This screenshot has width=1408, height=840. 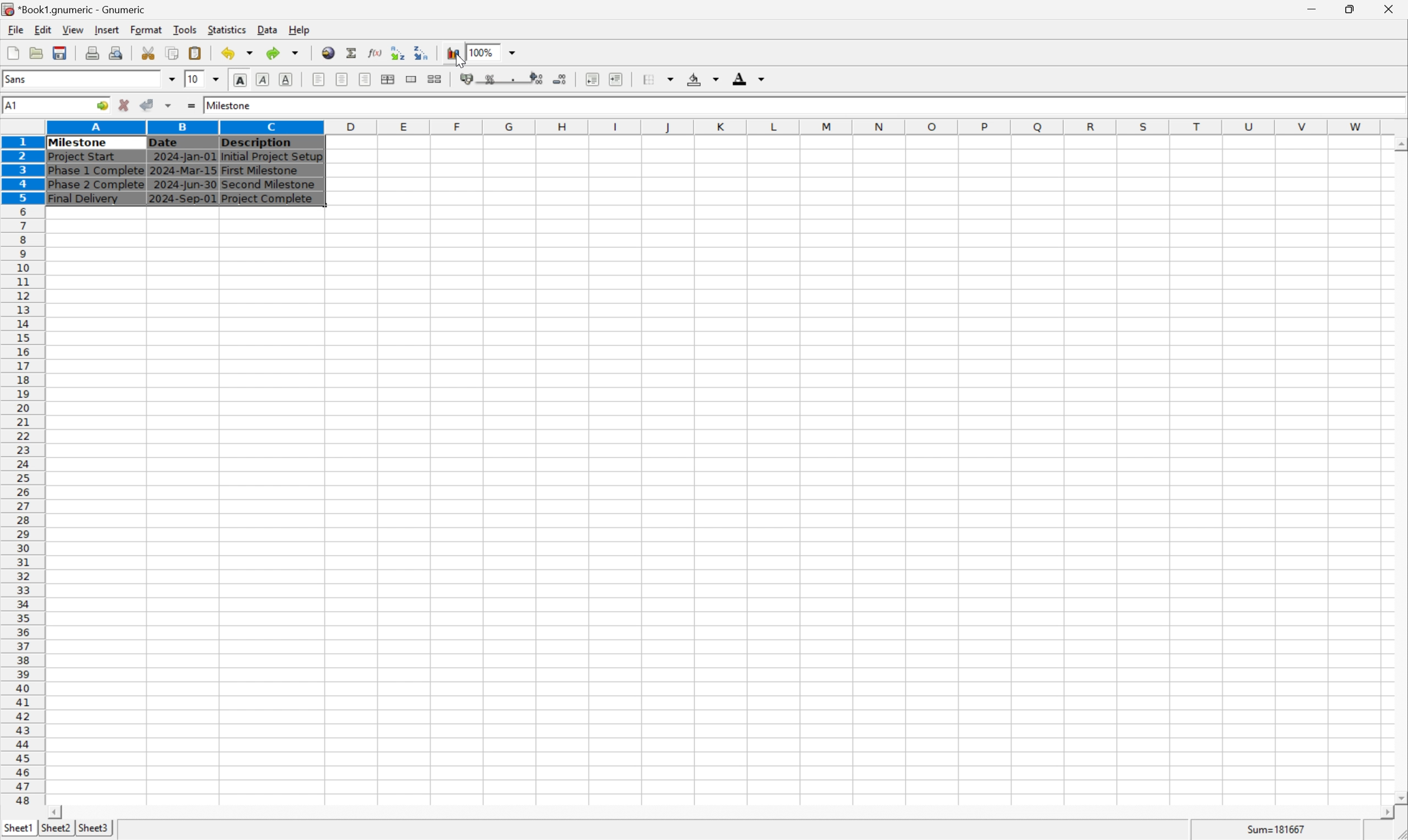 What do you see at coordinates (75, 10) in the screenshot?
I see `Application name` at bounding box center [75, 10].